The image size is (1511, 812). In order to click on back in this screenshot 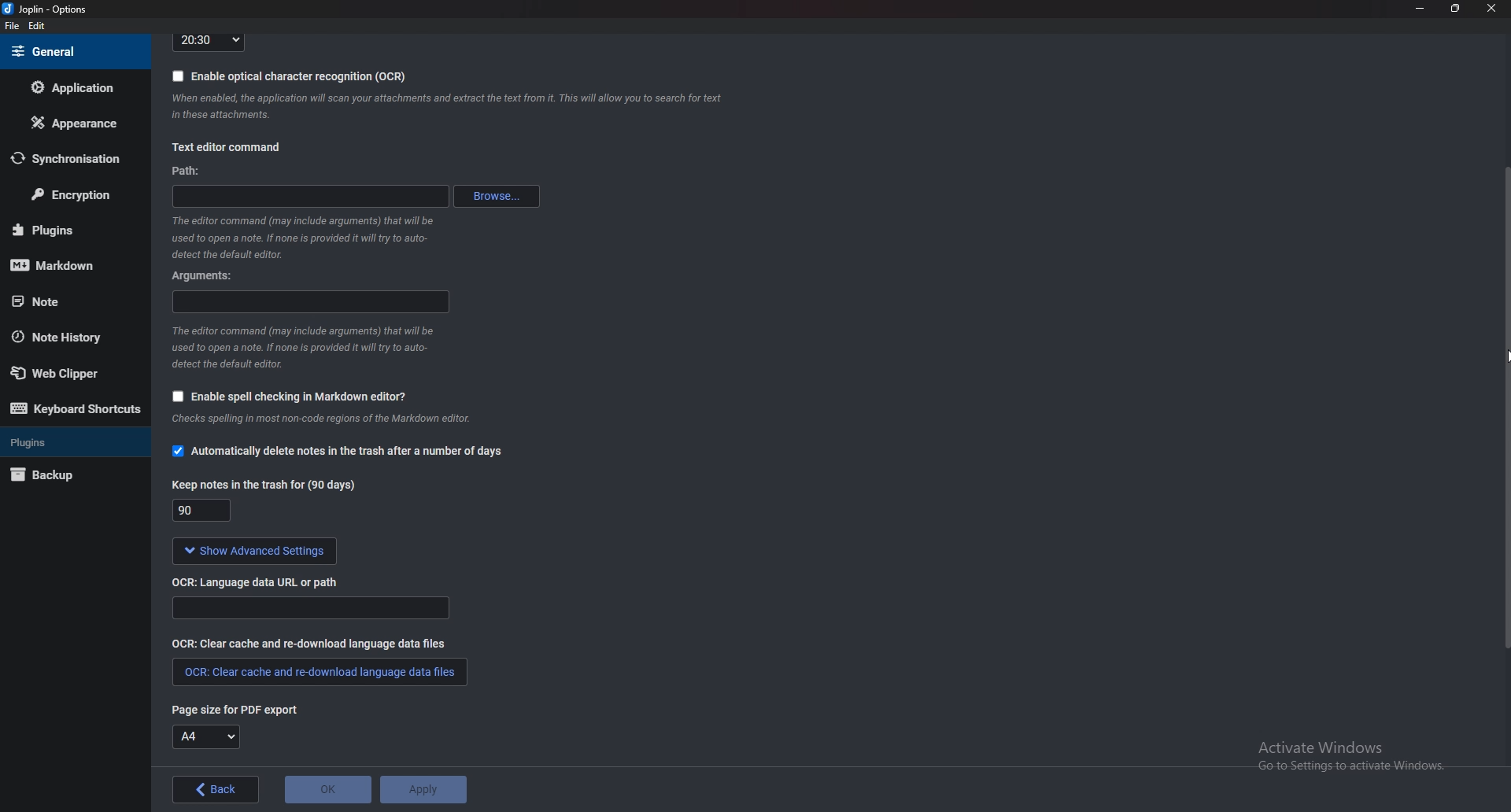, I will do `click(218, 789)`.